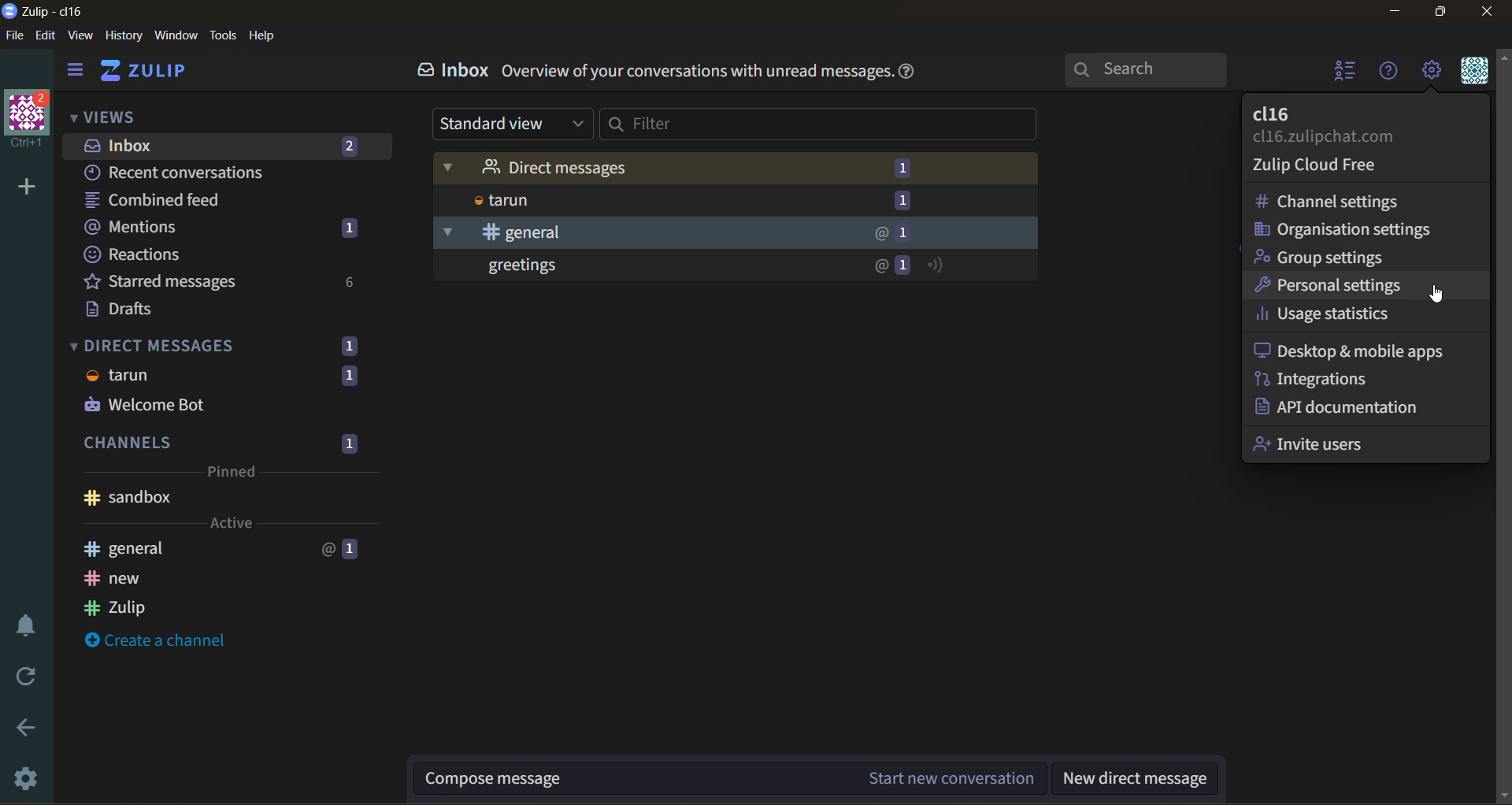 The width and height of the screenshot is (1512, 805). What do you see at coordinates (132, 580) in the screenshot?
I see `new` at bounding box center [132, 580].